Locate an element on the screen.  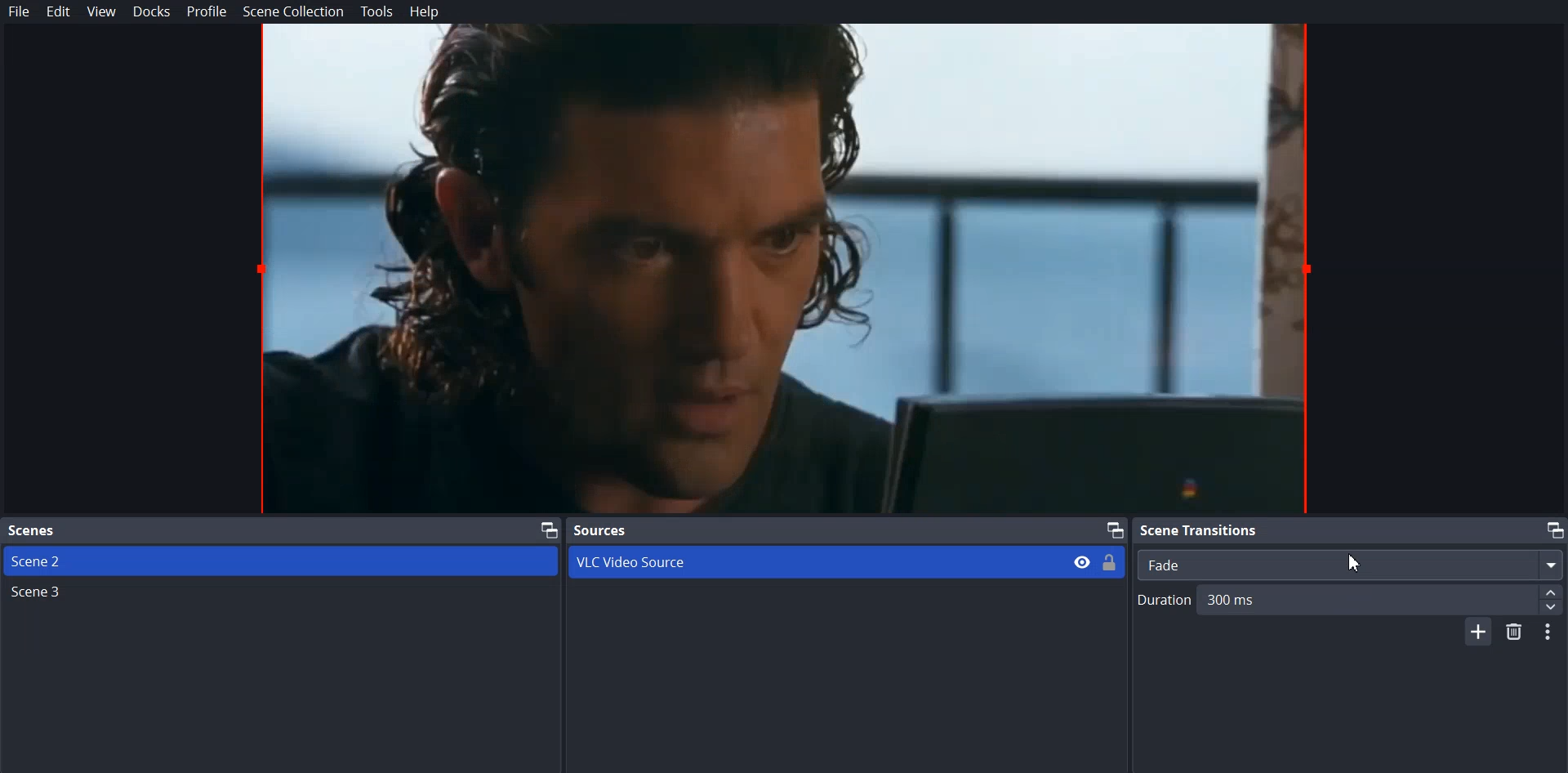
fade is located at coordinates (1352, 564).